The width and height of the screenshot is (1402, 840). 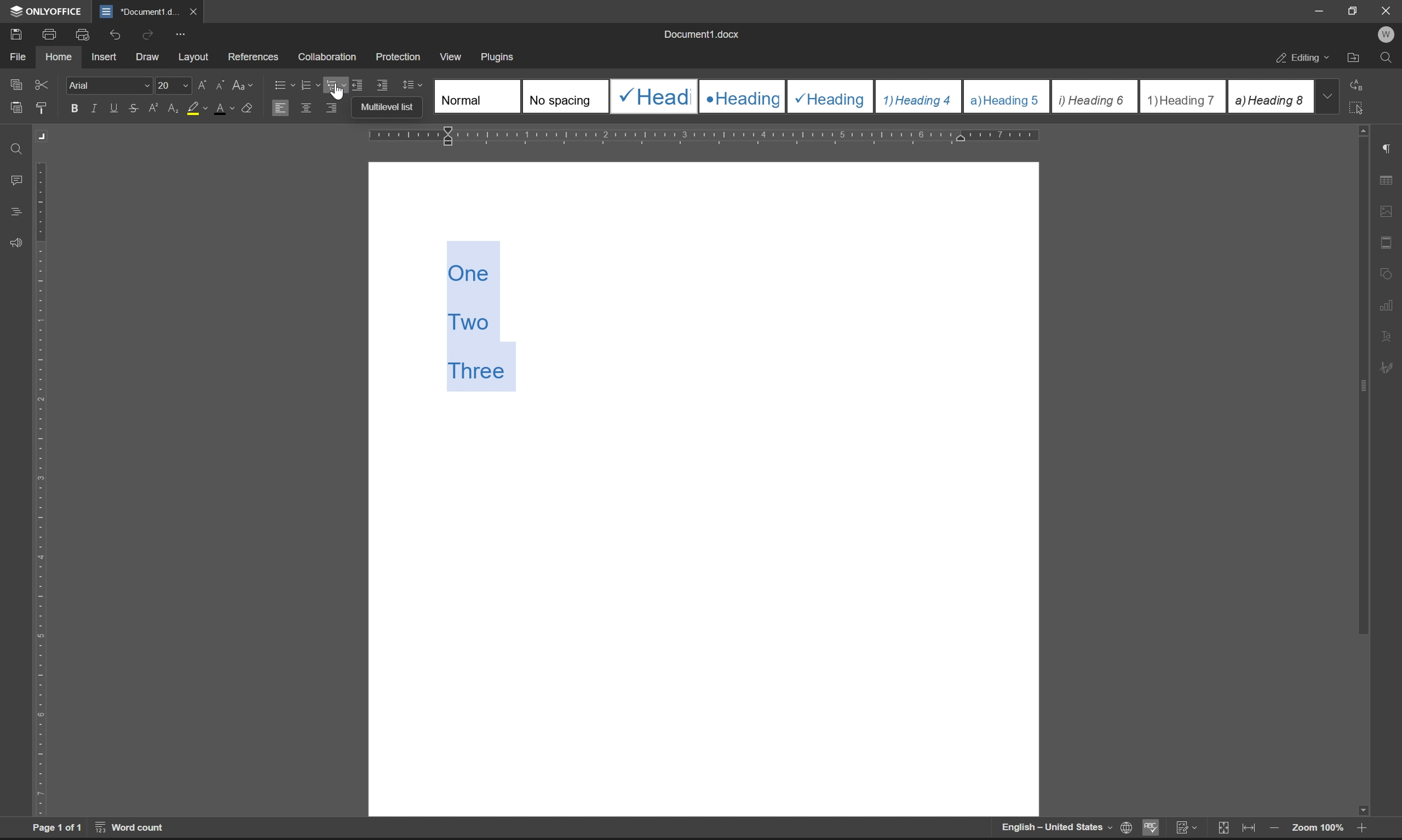 What do you see at coordinates (280, 107) in the screenshot?
I see `align left` at bounding box center [280, 107].